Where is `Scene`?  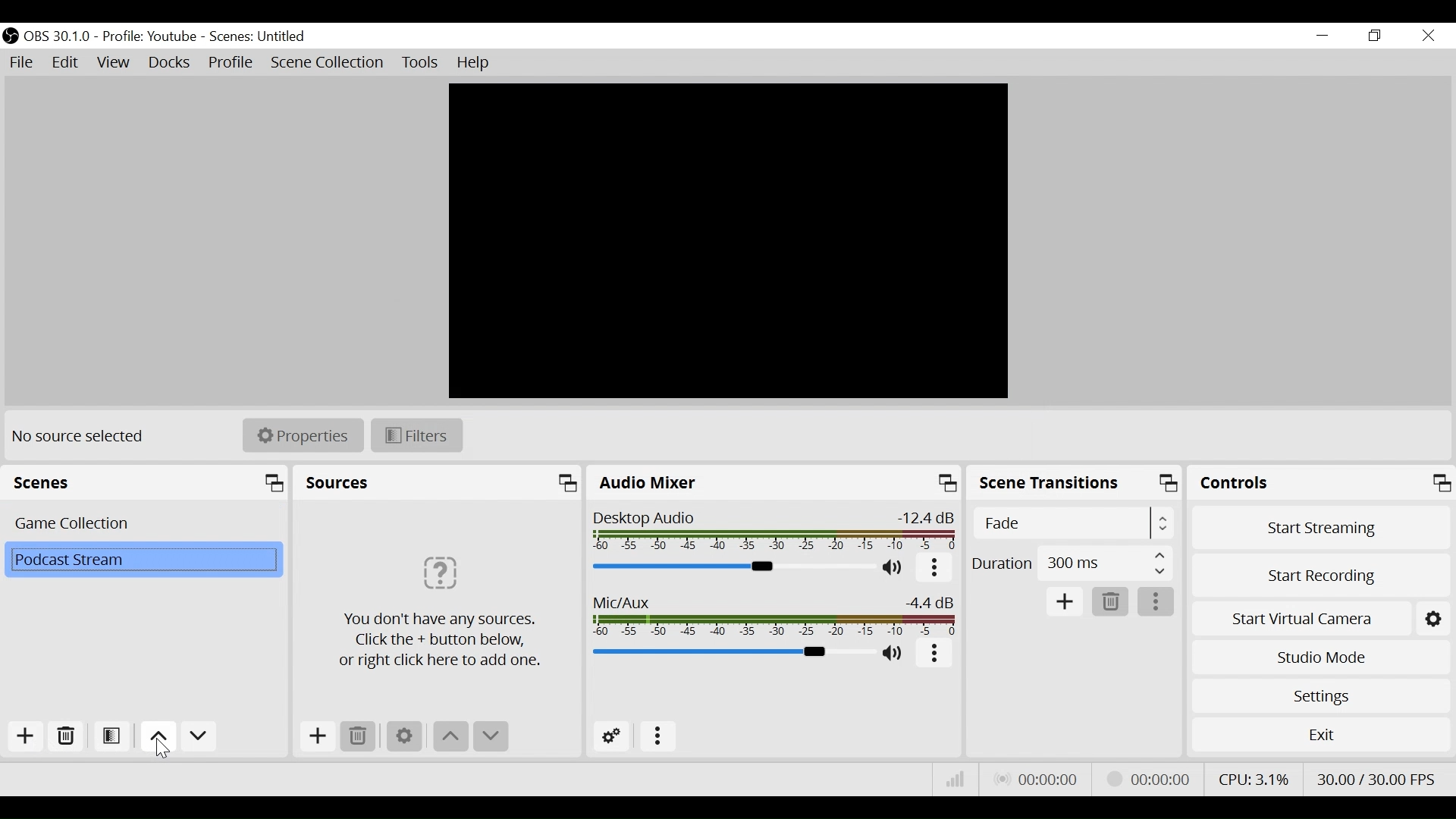 Scene is located at coordinates (140, 522).